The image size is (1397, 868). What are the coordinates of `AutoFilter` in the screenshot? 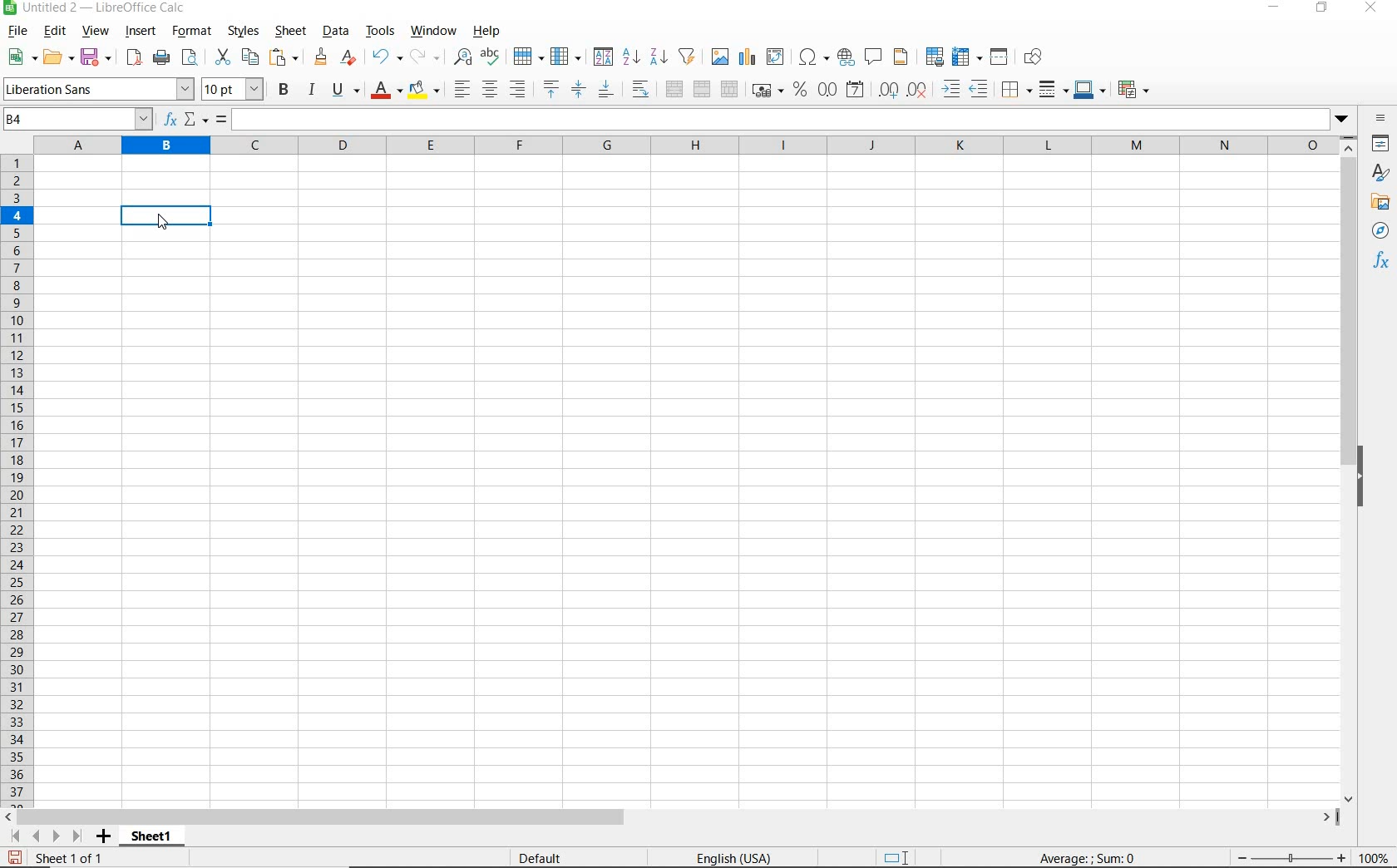 It's located at (689, 57).